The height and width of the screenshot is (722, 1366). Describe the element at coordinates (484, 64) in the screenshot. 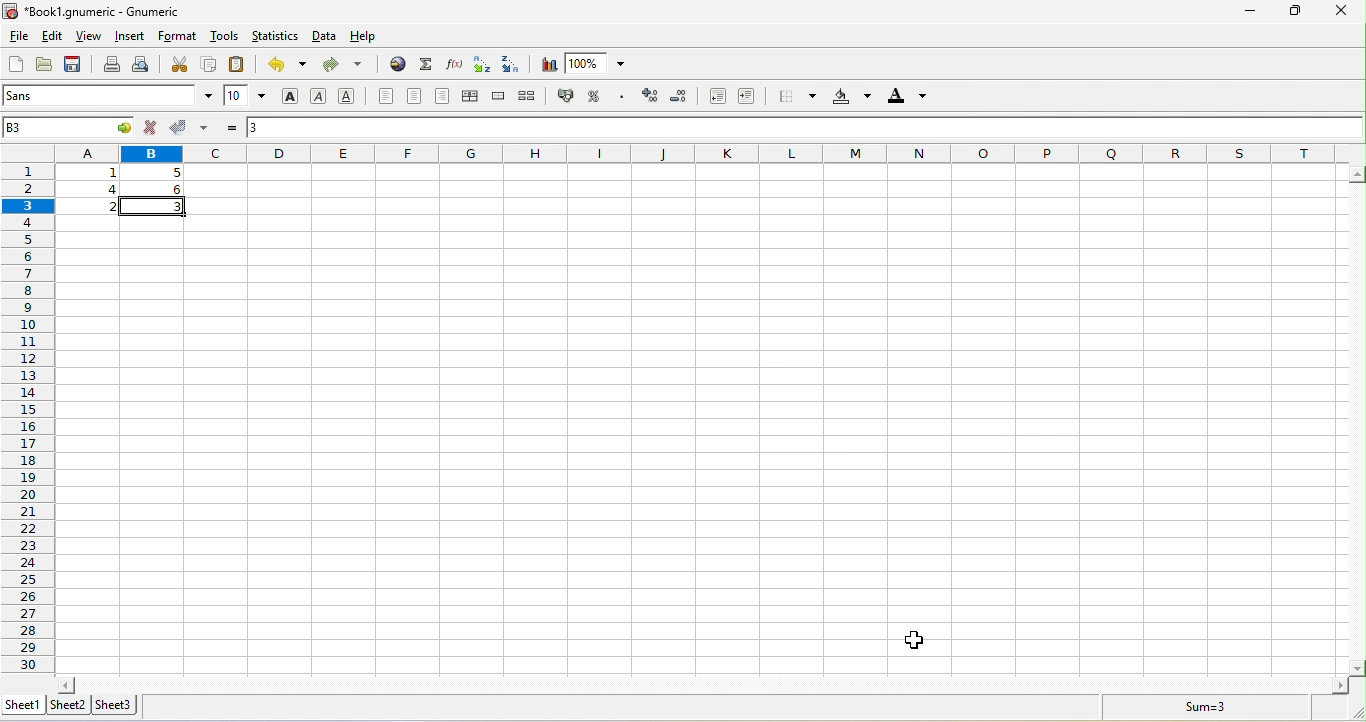

I see `sort the selected ascending order based` at that location.